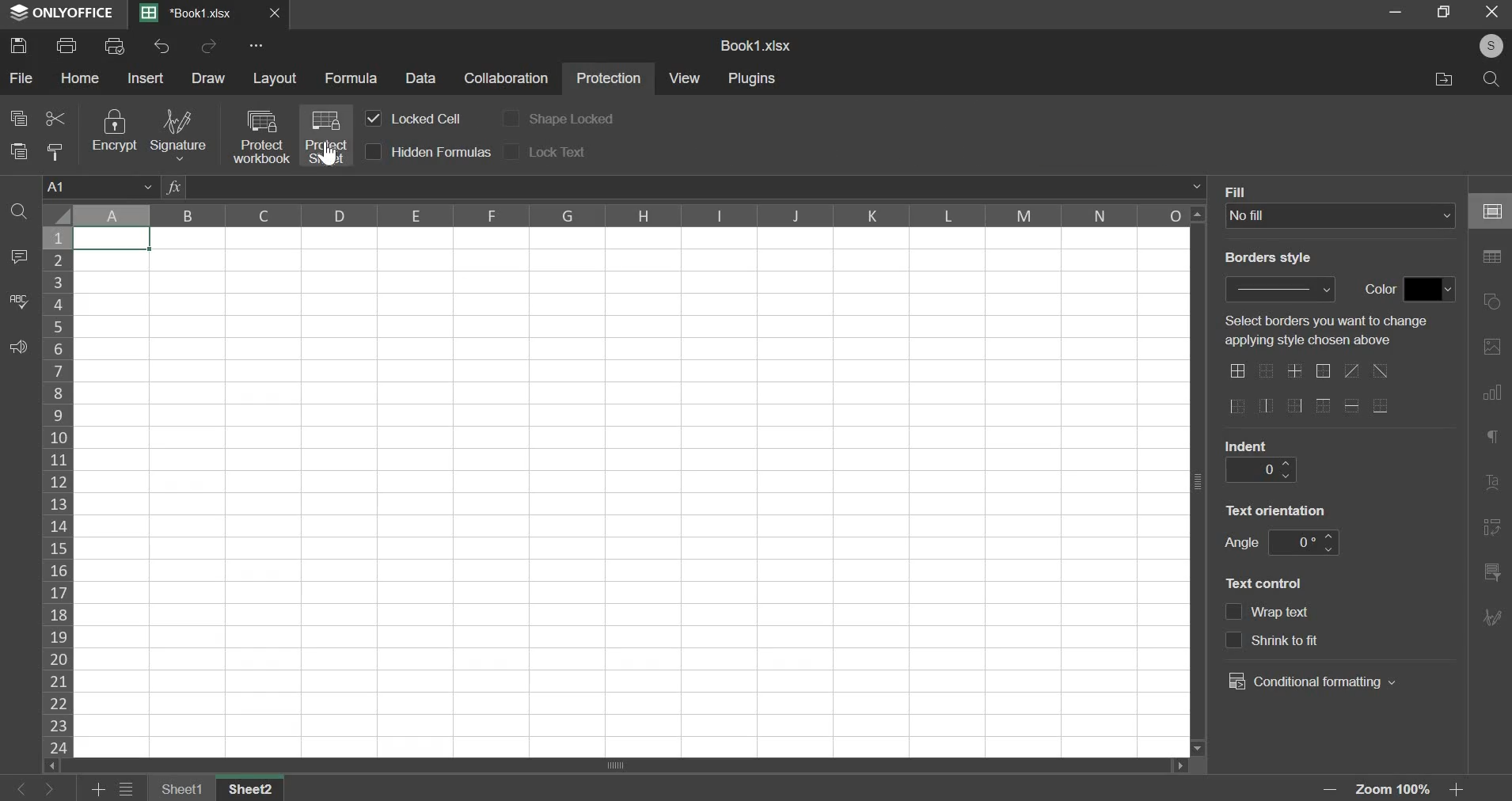 Image resolution: width=1512 pixels, height=801 pixels. Describe the element at coordinates (112, 239) in the screenshot. I see `selected cell` at that location.